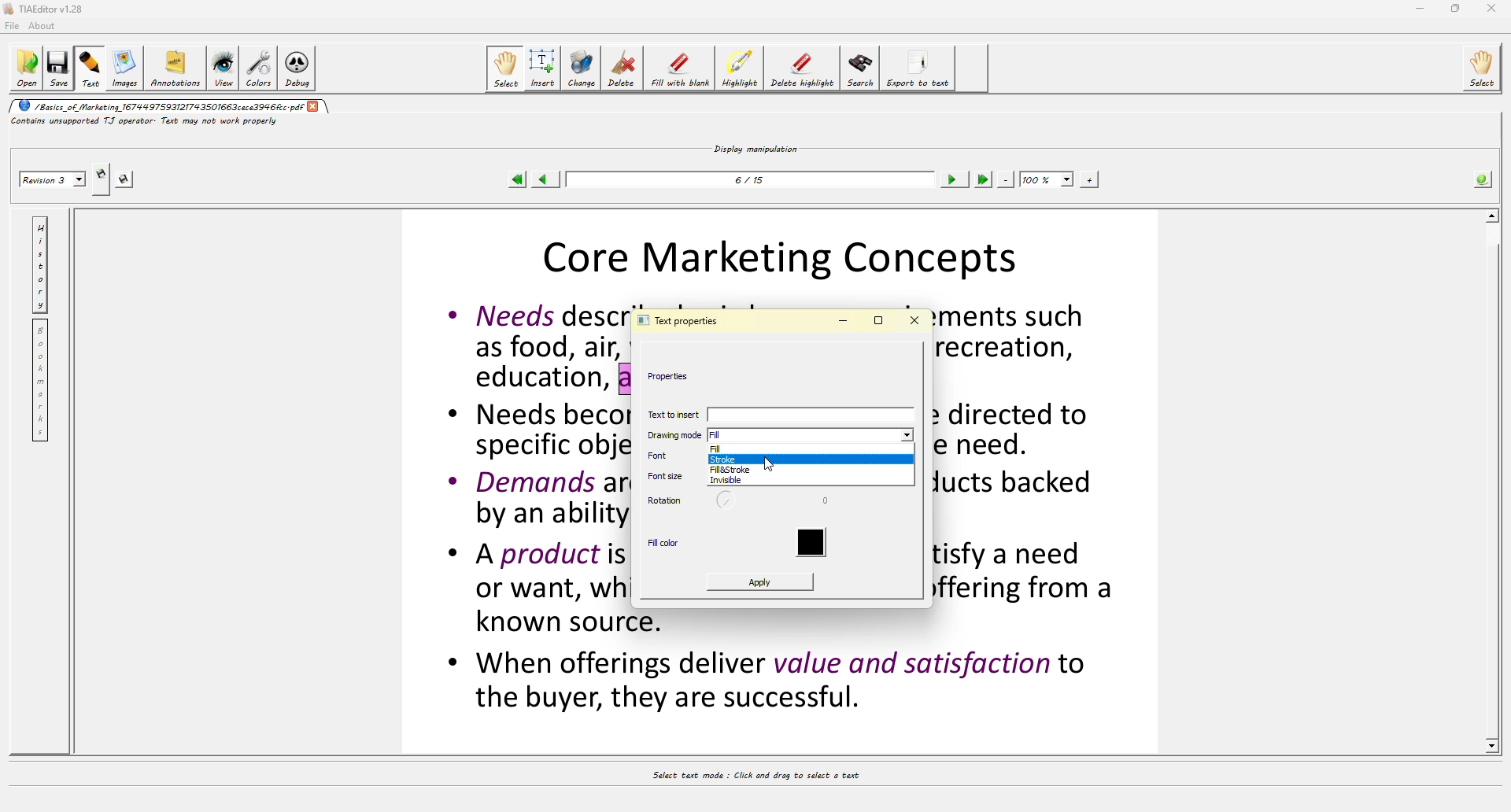  I want to click on display manipulation, so click(757, 146).